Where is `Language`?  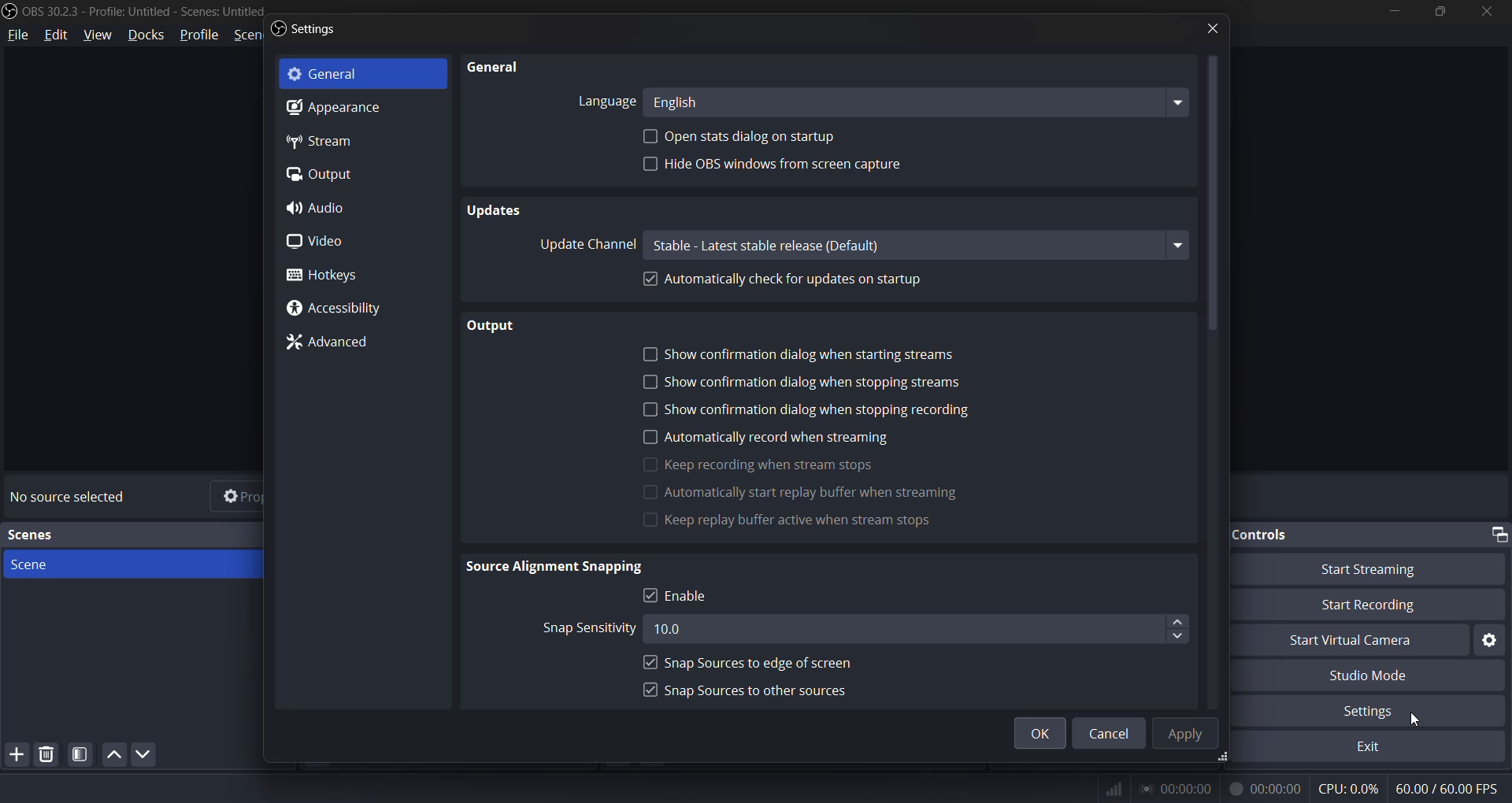
Language is located at coordinates (606, 102).